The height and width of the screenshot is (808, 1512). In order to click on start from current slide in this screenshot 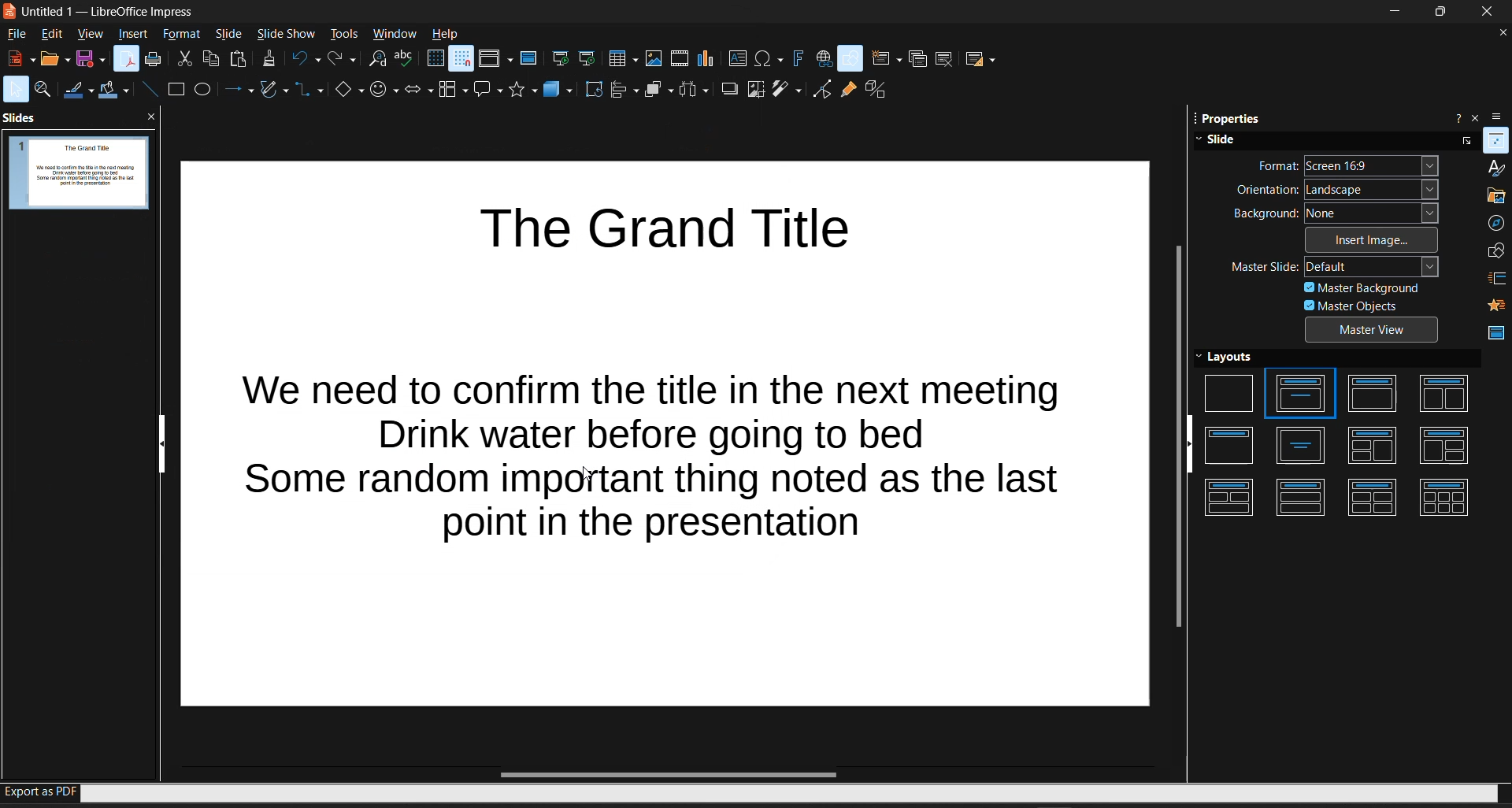, I will do `click(591, 59)`.